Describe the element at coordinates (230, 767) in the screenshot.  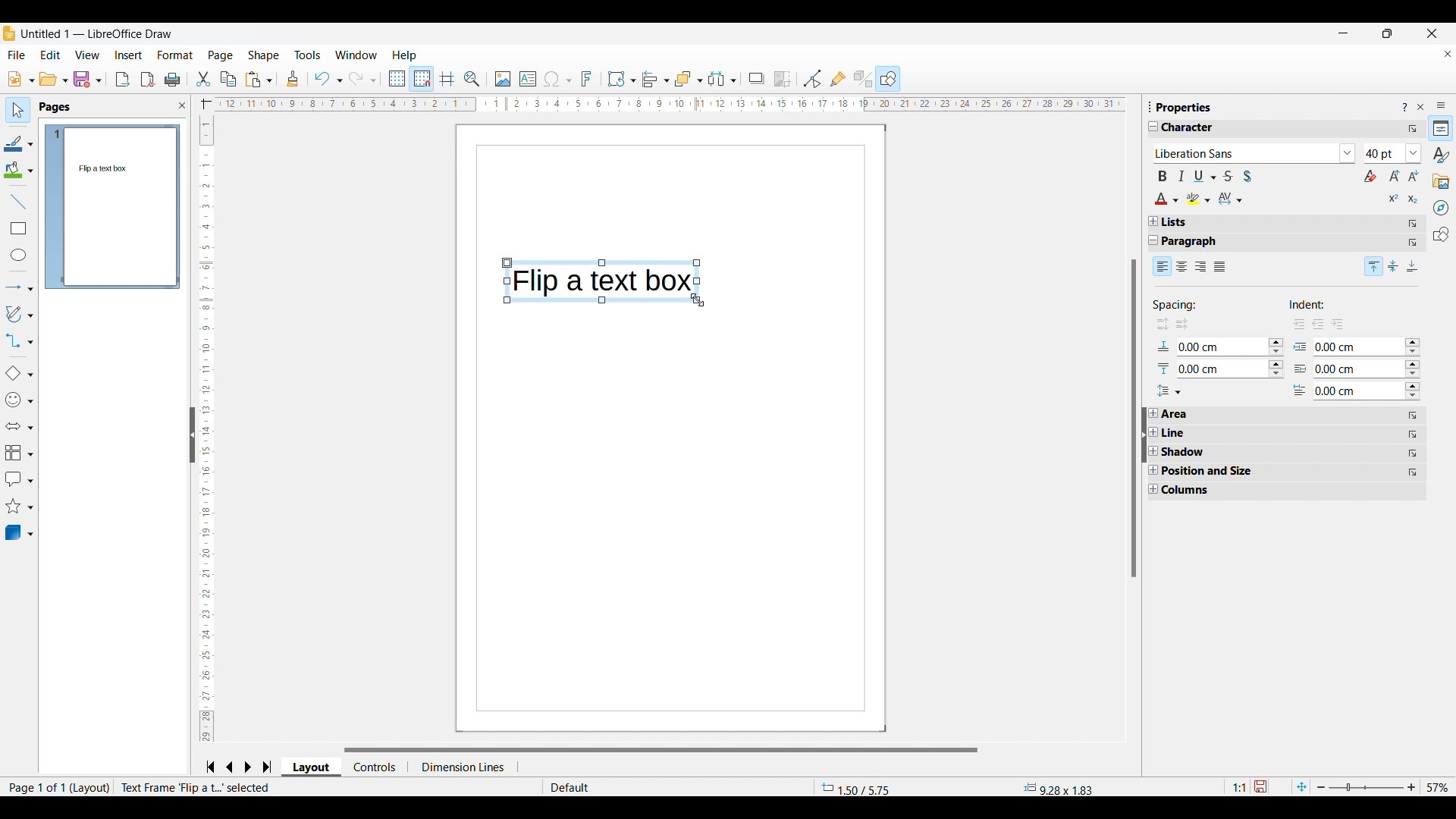
I see `Go to previous slide` at that location.